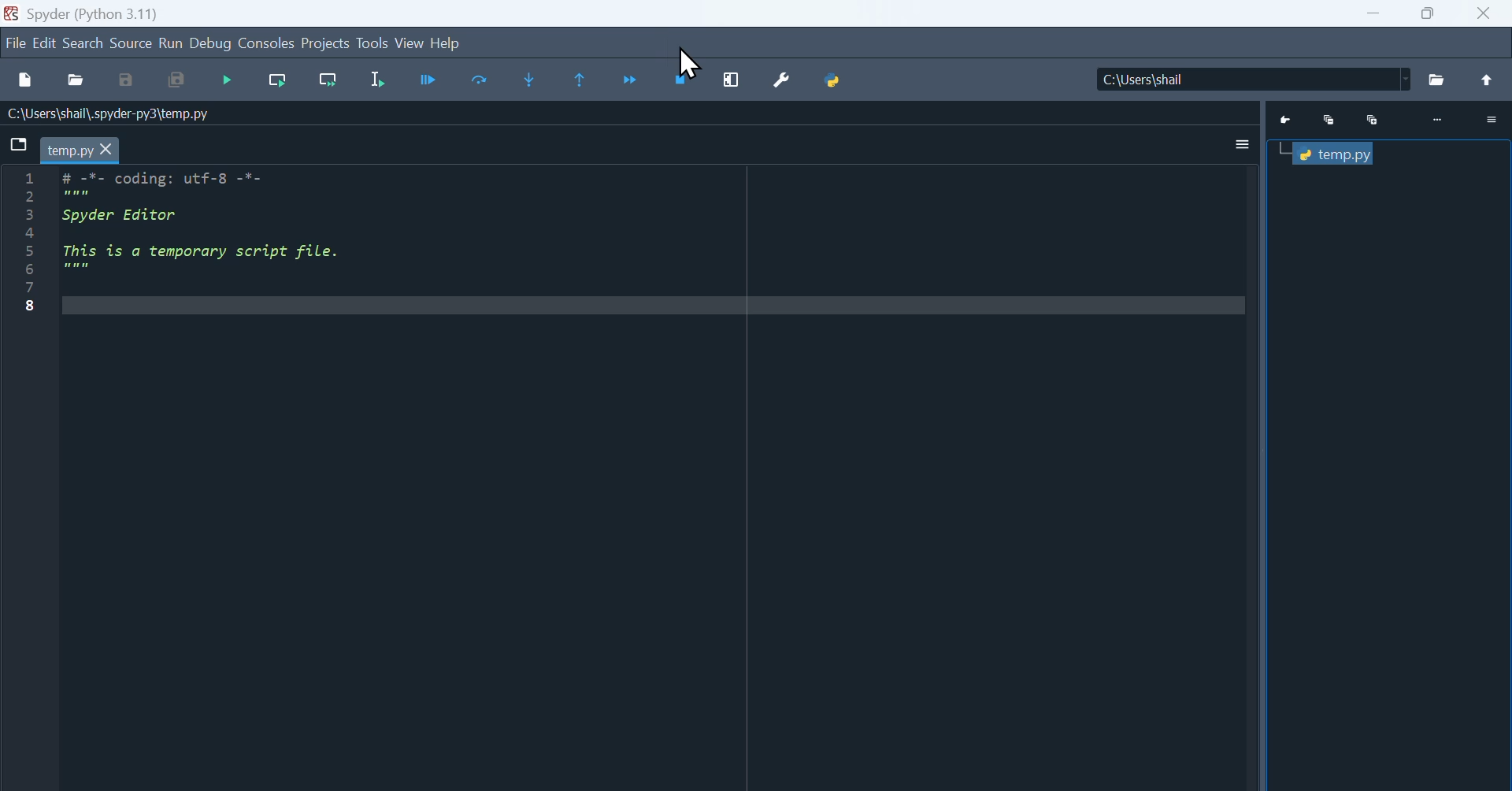 The height and width of the screenshot is (791, 1512). What do you see at coordinates (1429, 13) in the screenshot?
I see `Maximize` at bounding box center [1429, 13].